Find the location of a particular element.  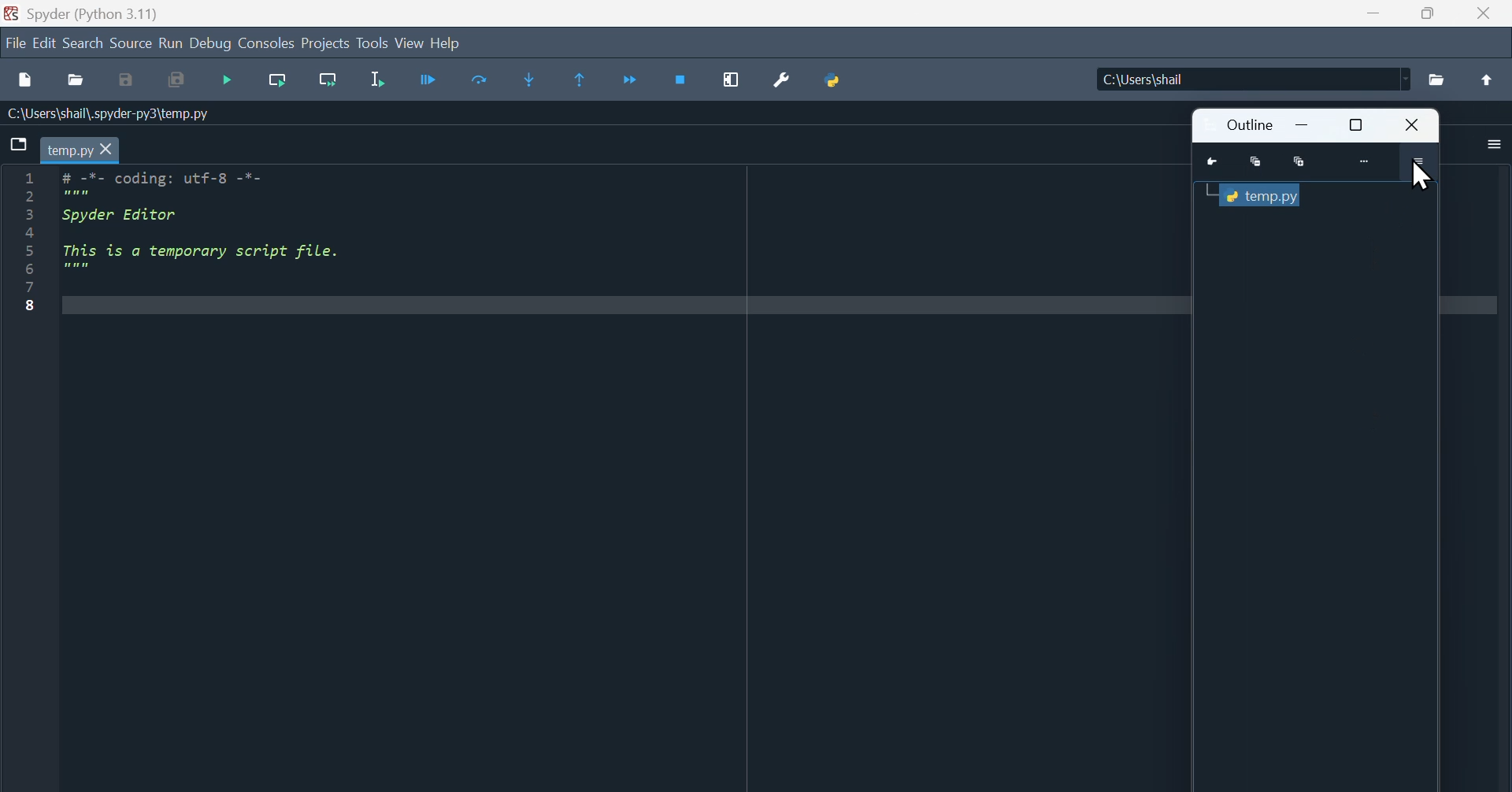

New file is located at coordinates (28, 79).